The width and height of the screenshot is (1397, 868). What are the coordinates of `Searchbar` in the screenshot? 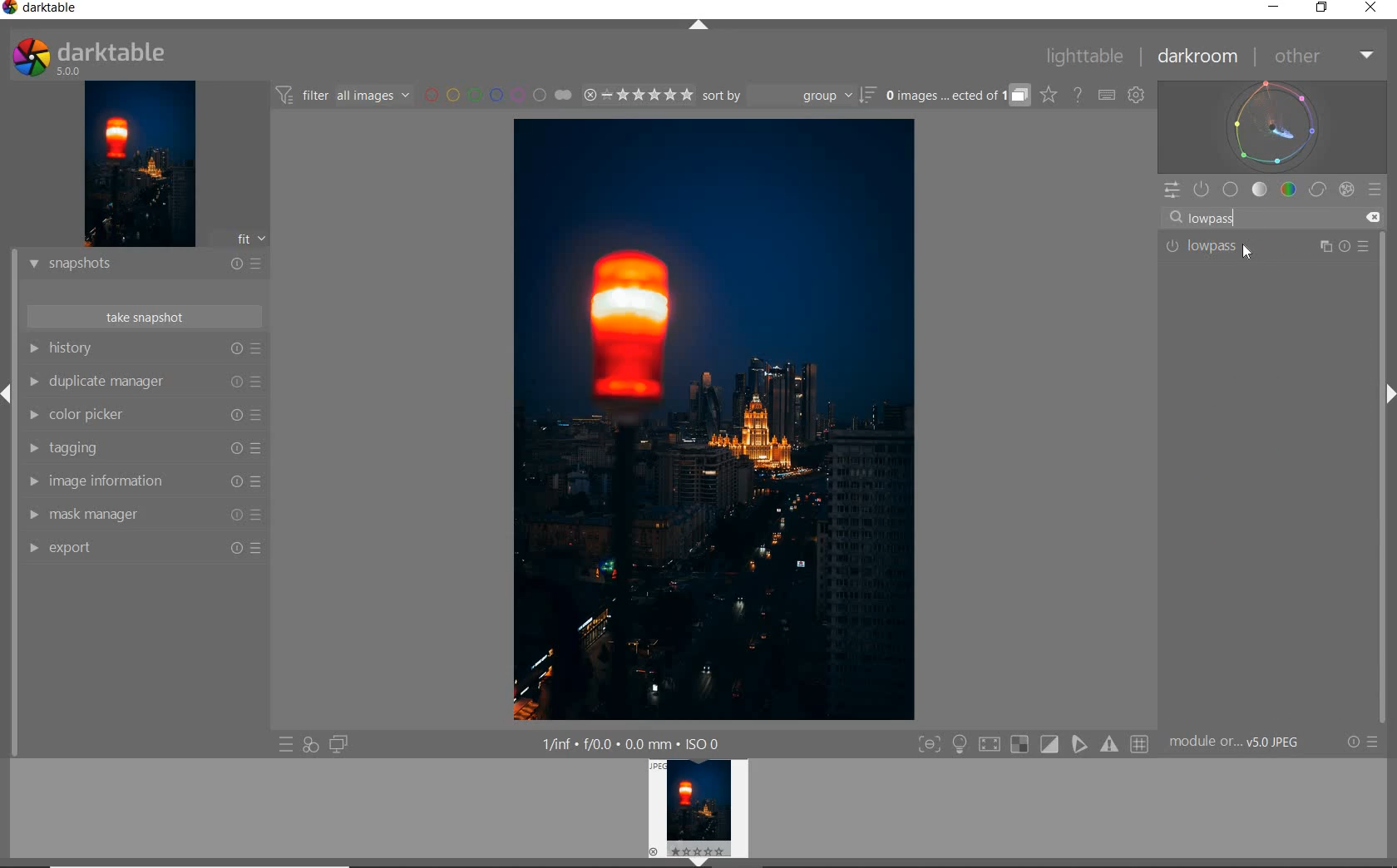 It's located at (1259, 217).